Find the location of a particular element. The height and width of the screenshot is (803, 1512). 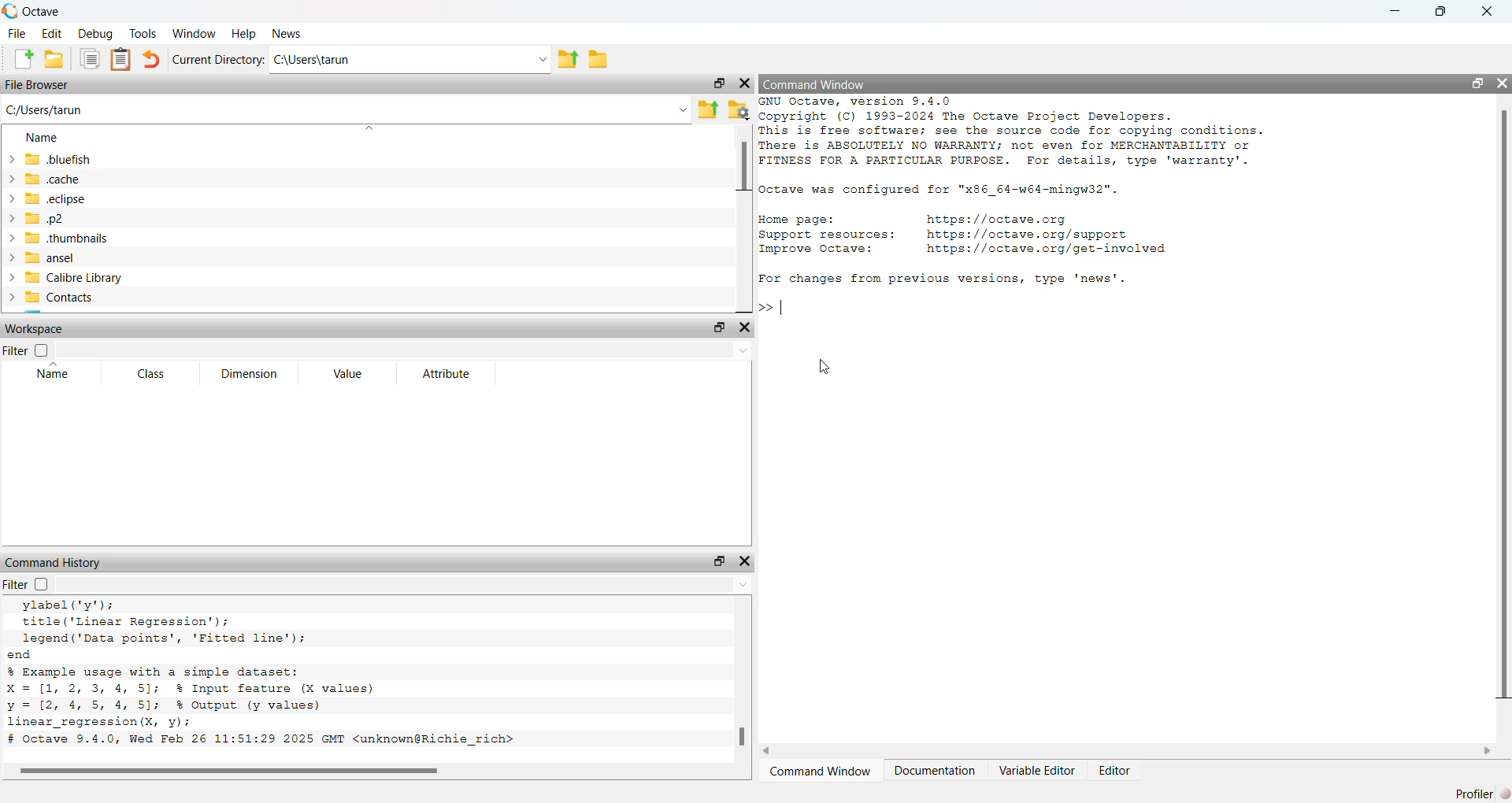

| For changes from previous versions, type 'news'. is located at coordinates (944, 277).